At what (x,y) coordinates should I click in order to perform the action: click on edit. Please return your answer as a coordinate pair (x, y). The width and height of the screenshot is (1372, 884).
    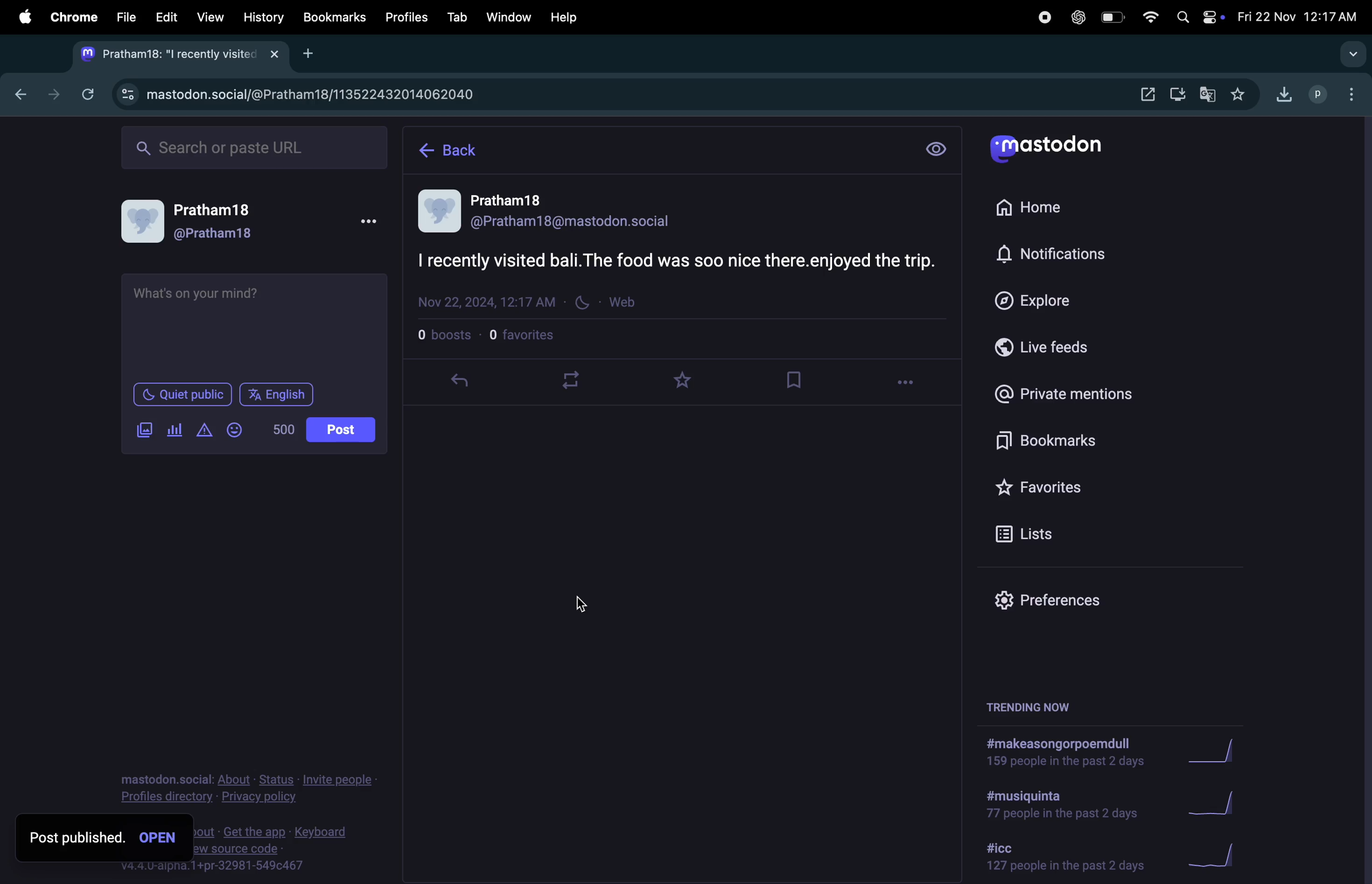
    Looking at the image, I should click on (166, 17).